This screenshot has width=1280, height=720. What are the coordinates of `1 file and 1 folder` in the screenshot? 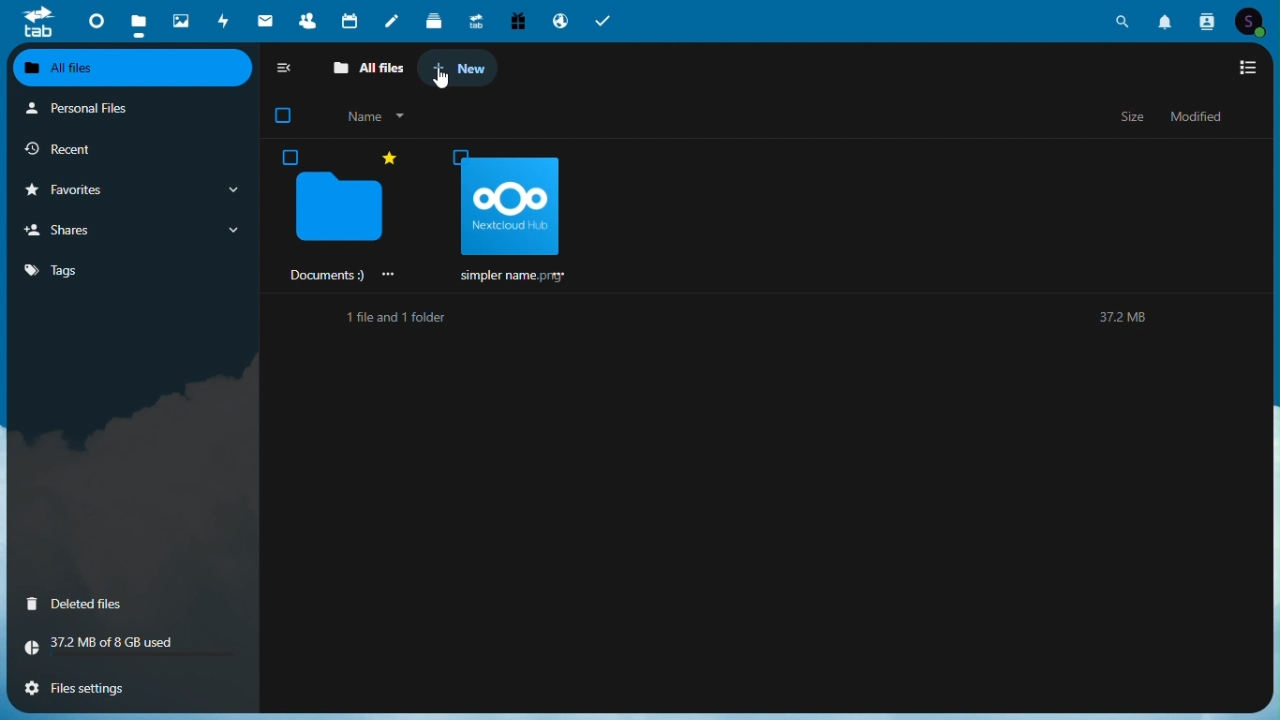 It's located at (391, 318).